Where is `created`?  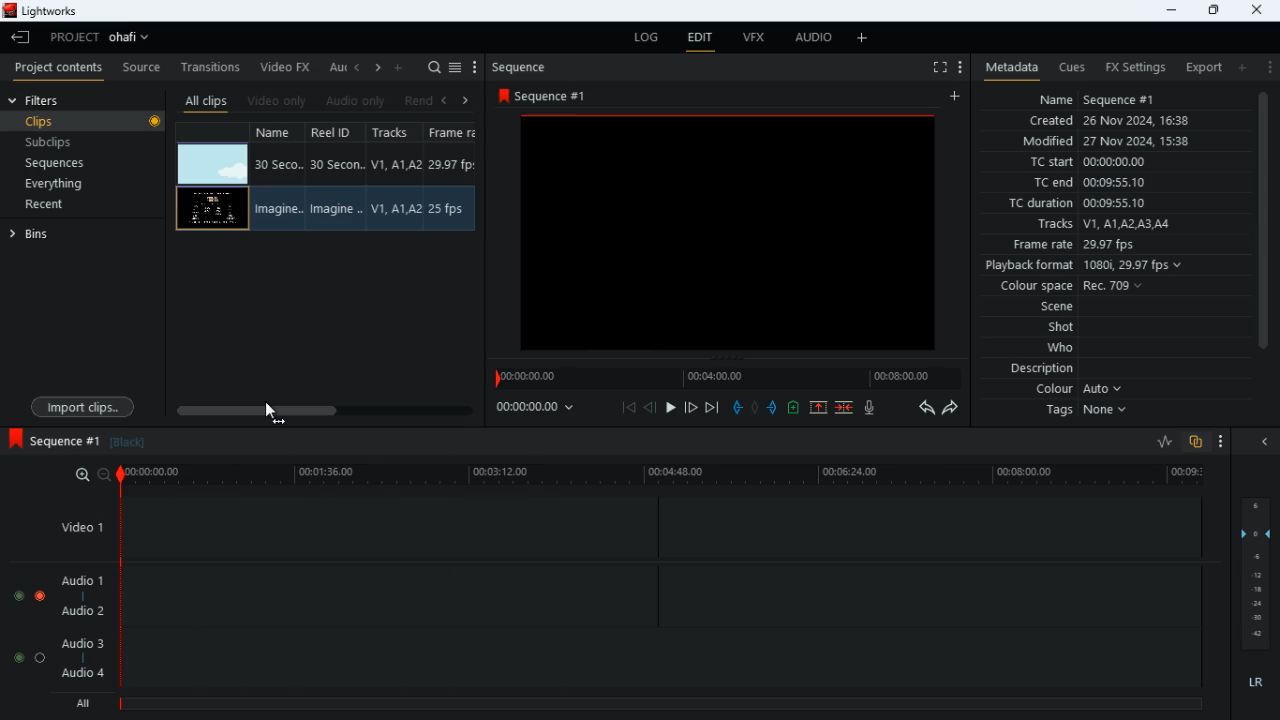 created is located at coordinates (1106, 121).